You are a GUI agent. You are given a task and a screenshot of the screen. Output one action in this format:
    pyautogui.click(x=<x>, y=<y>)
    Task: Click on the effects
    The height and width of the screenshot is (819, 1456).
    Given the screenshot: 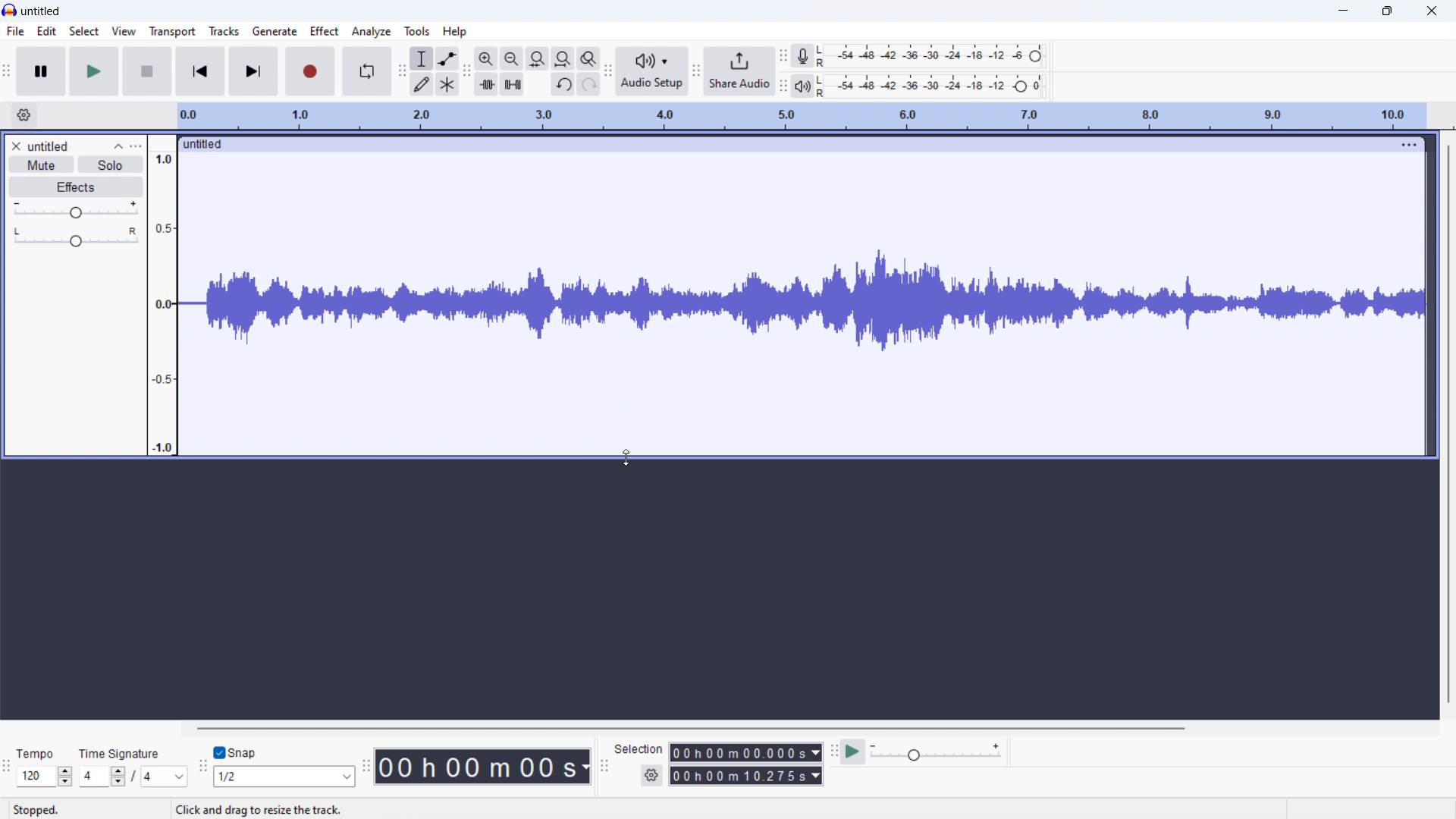 What is the action you would take?
    pyautogui.click(x=76, y=188)
    